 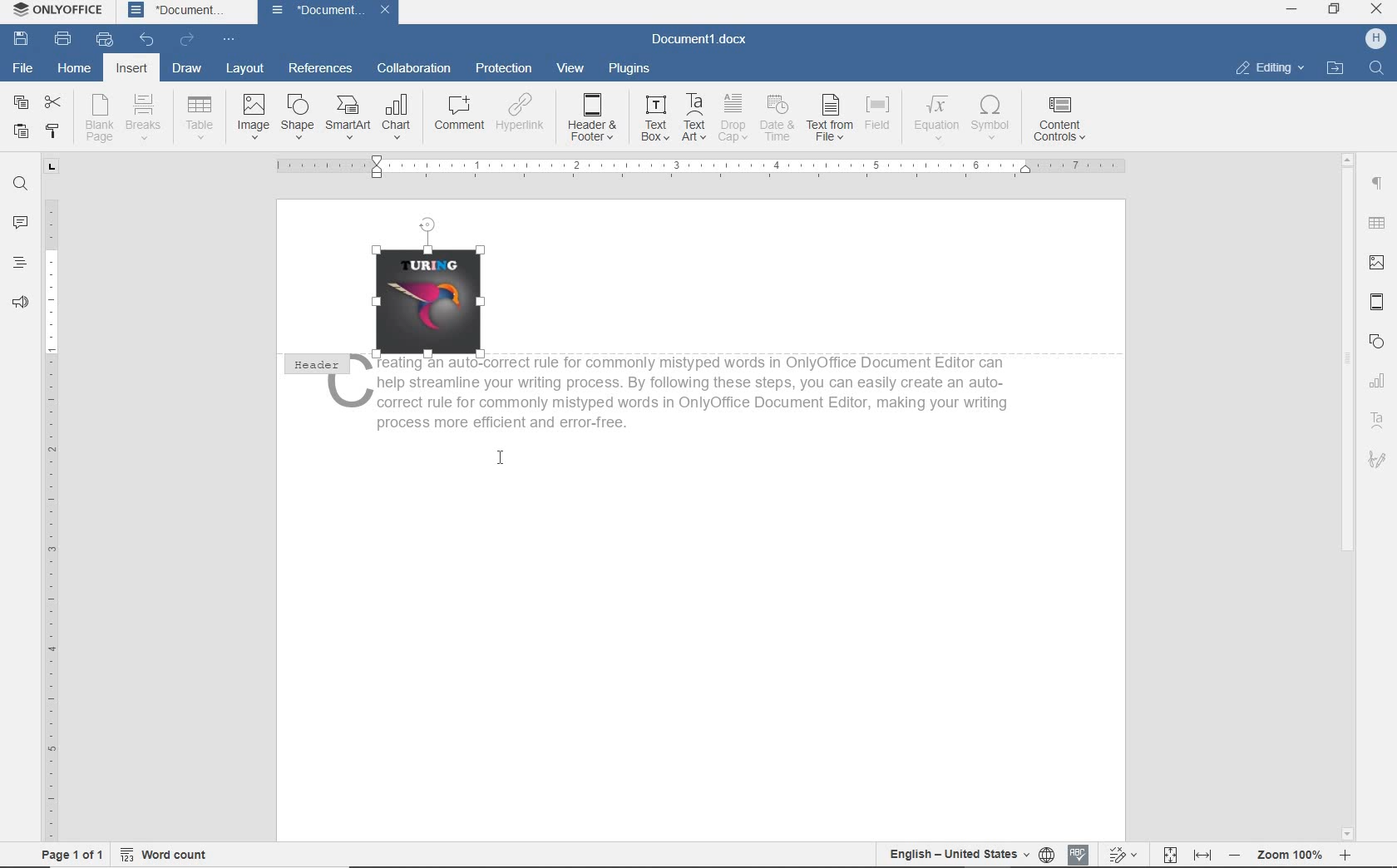 I want to click on SYSTEM NAME, so click(x=54, y=9).